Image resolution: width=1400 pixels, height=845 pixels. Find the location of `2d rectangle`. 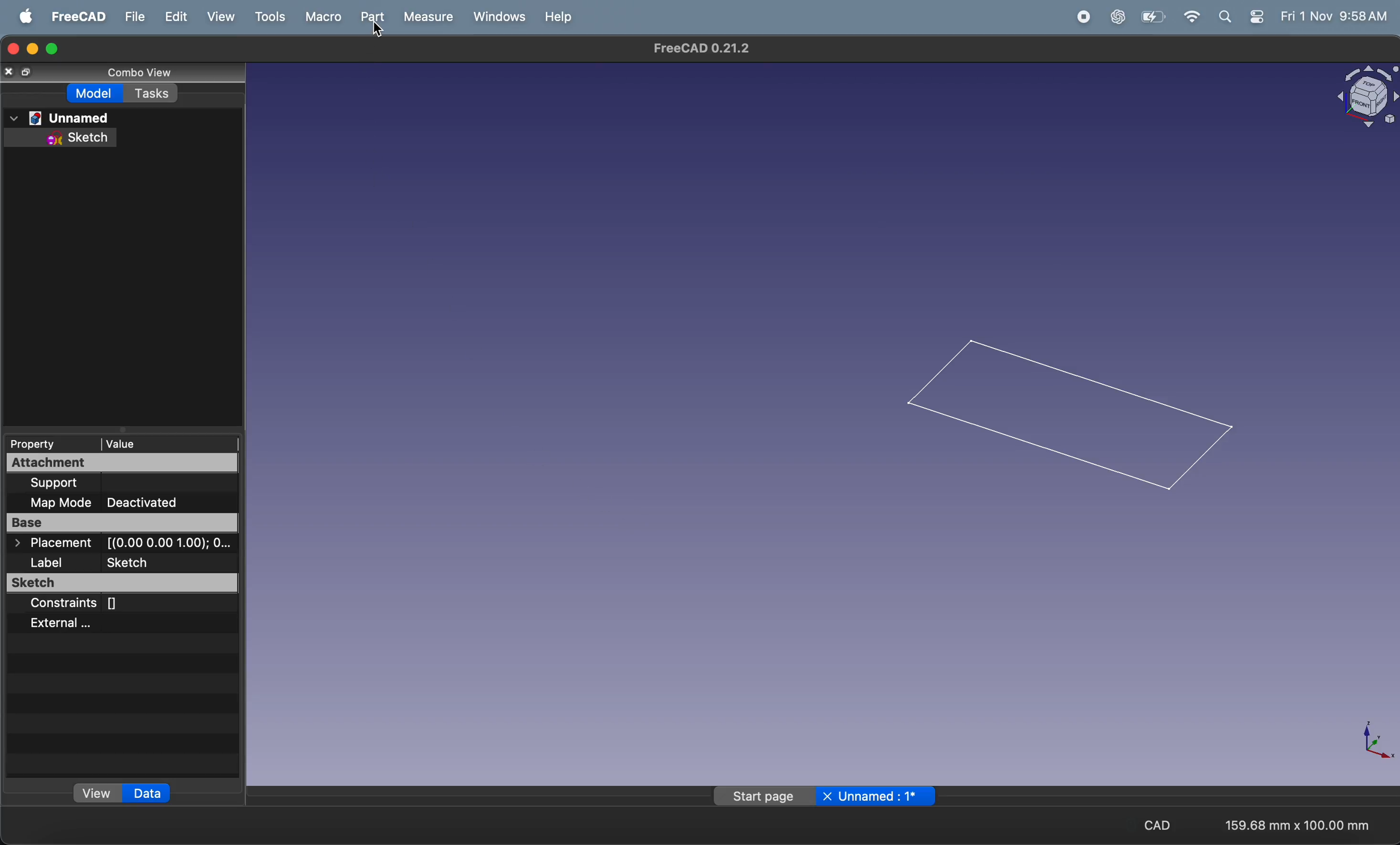

2d rectangle is located at coordinates (1067, 414).